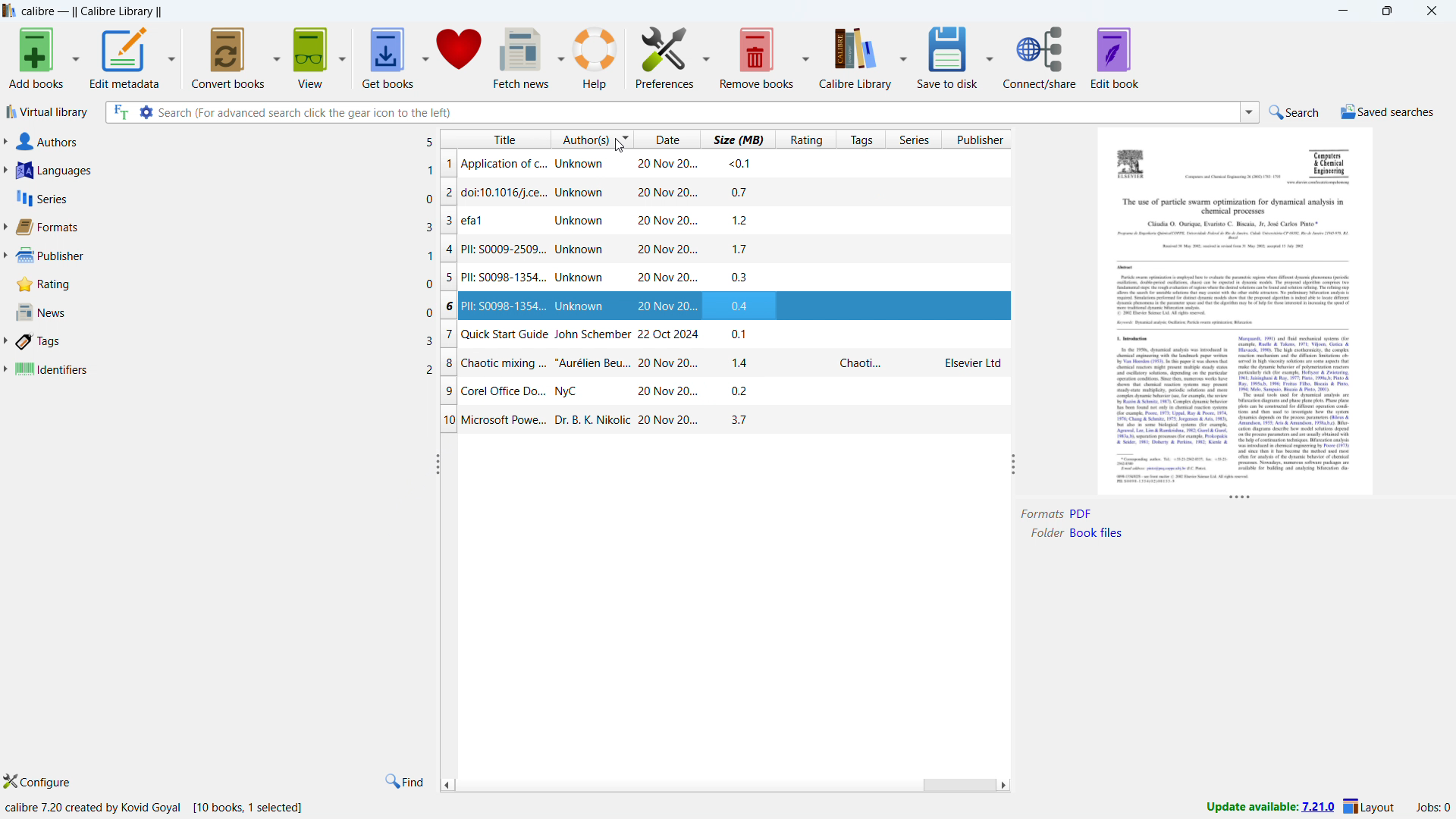 The height and width of the screenshot is (819, 1456). I want to click on virtual library, so click(45, 112).